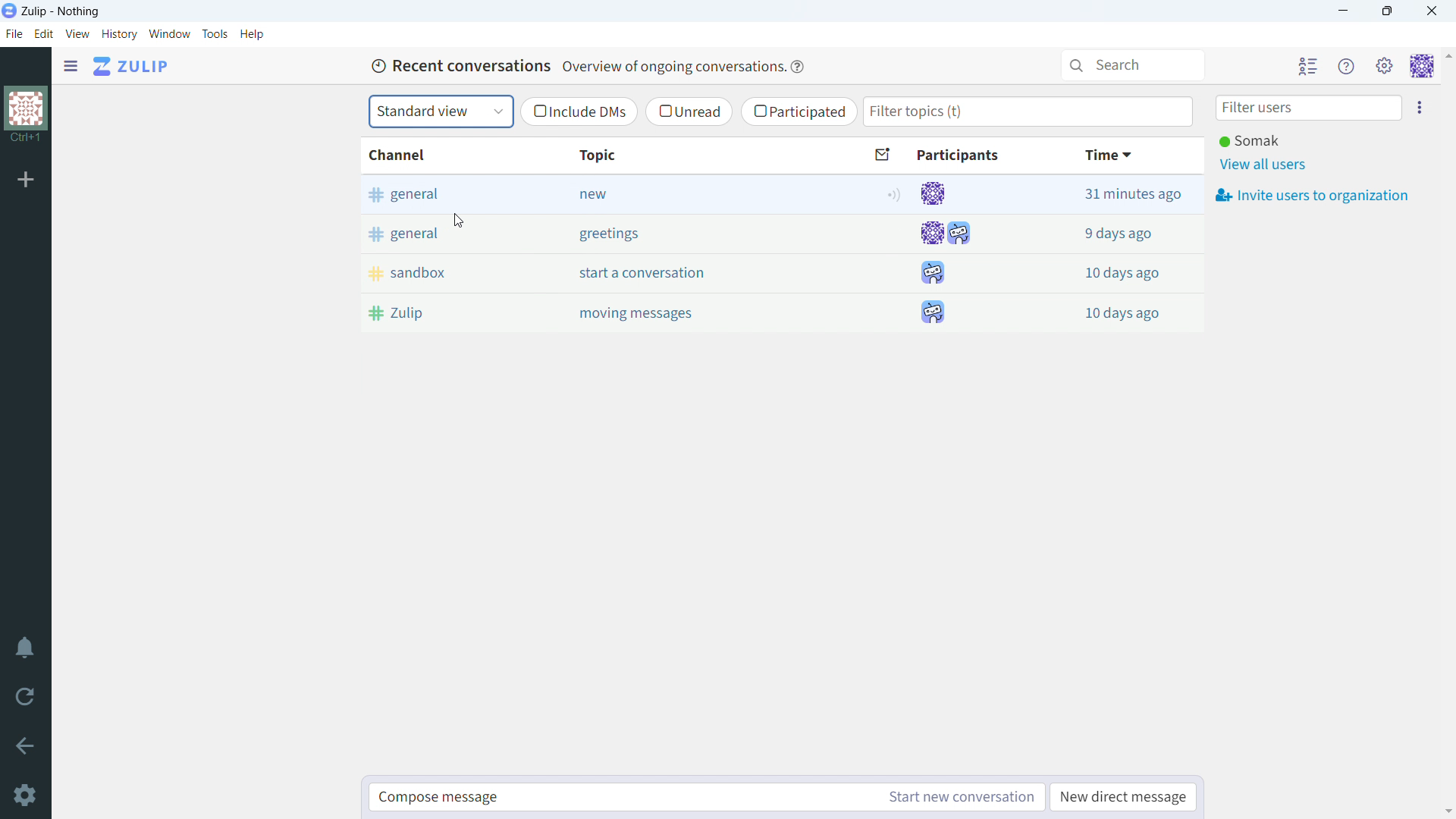  I want to click on Overview of ongoing conversations, so click(671, 67).